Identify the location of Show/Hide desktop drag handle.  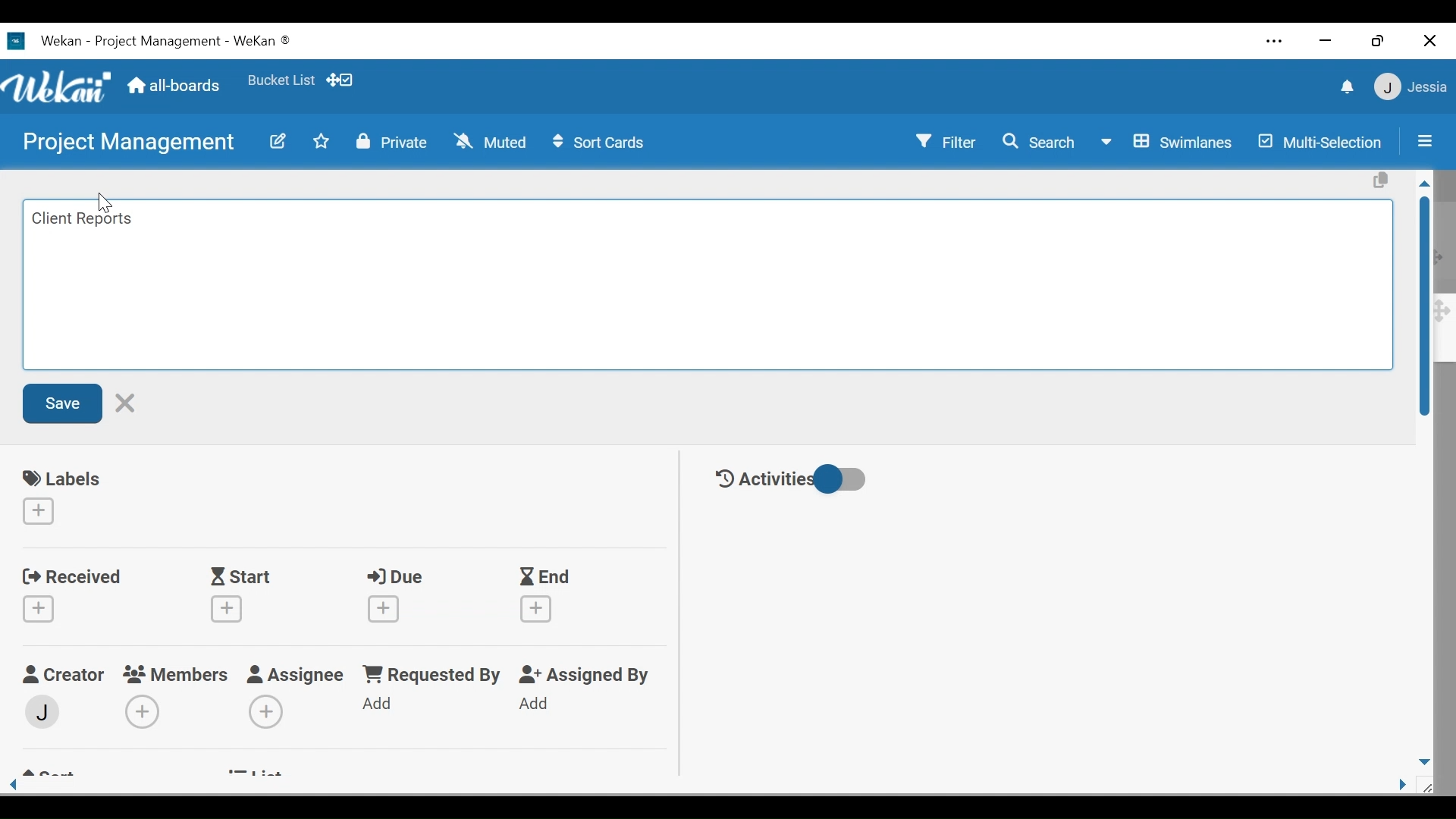
(339, 80).